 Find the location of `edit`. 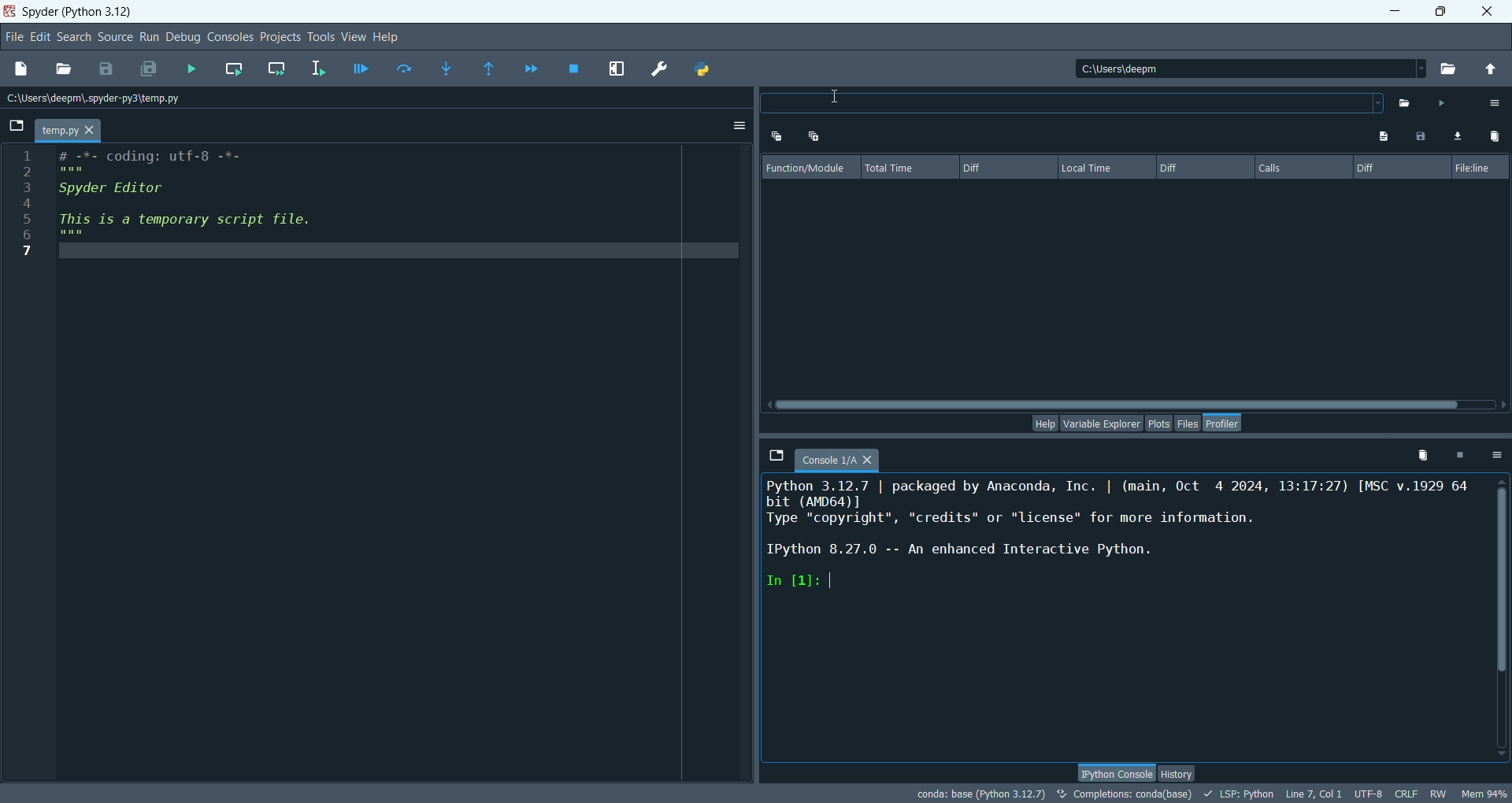

edit is located at coordinates (41, 37).